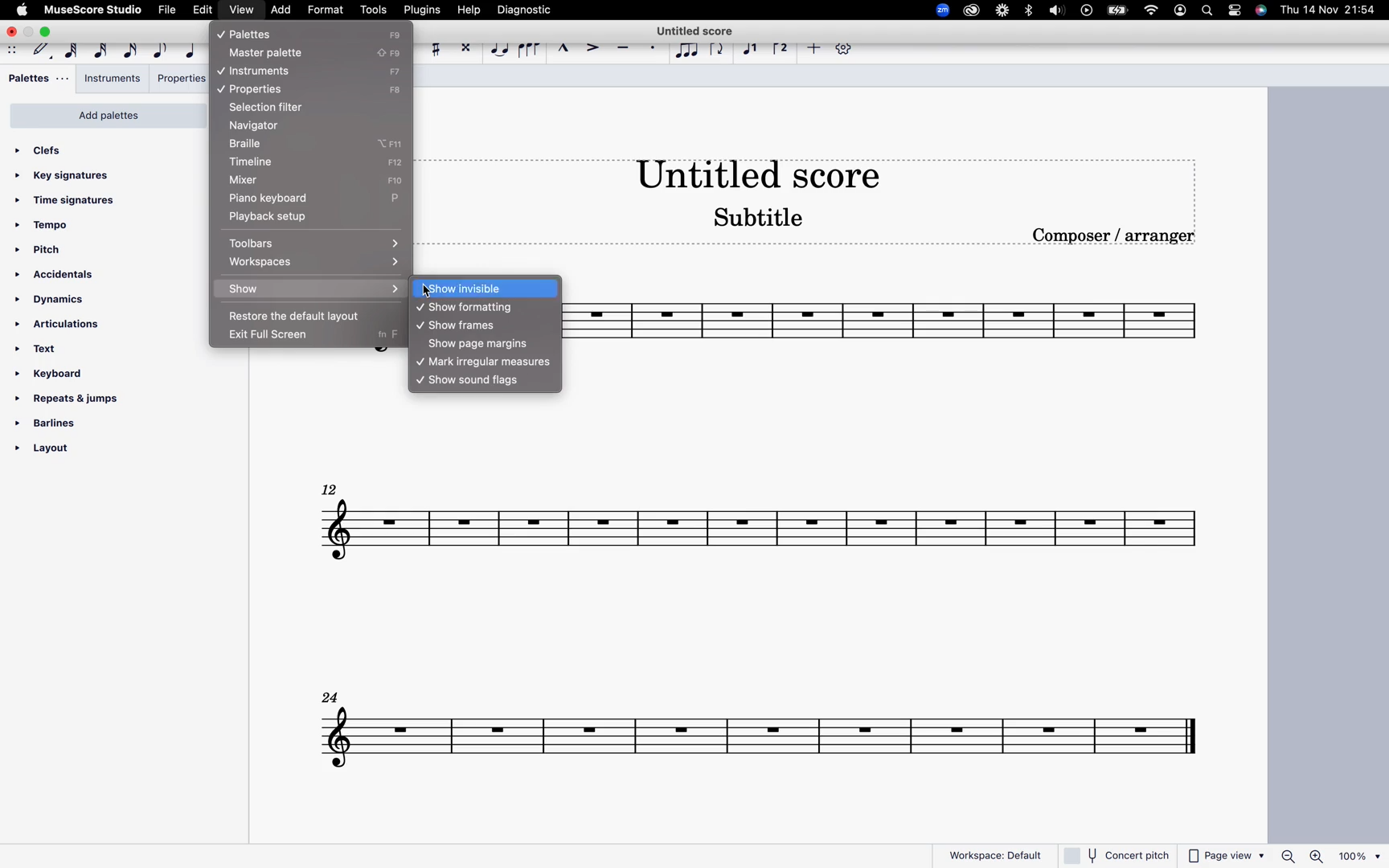 This screenshot has width=1389, height=868. I want to click on Capslock+F9, so click(395, 71).